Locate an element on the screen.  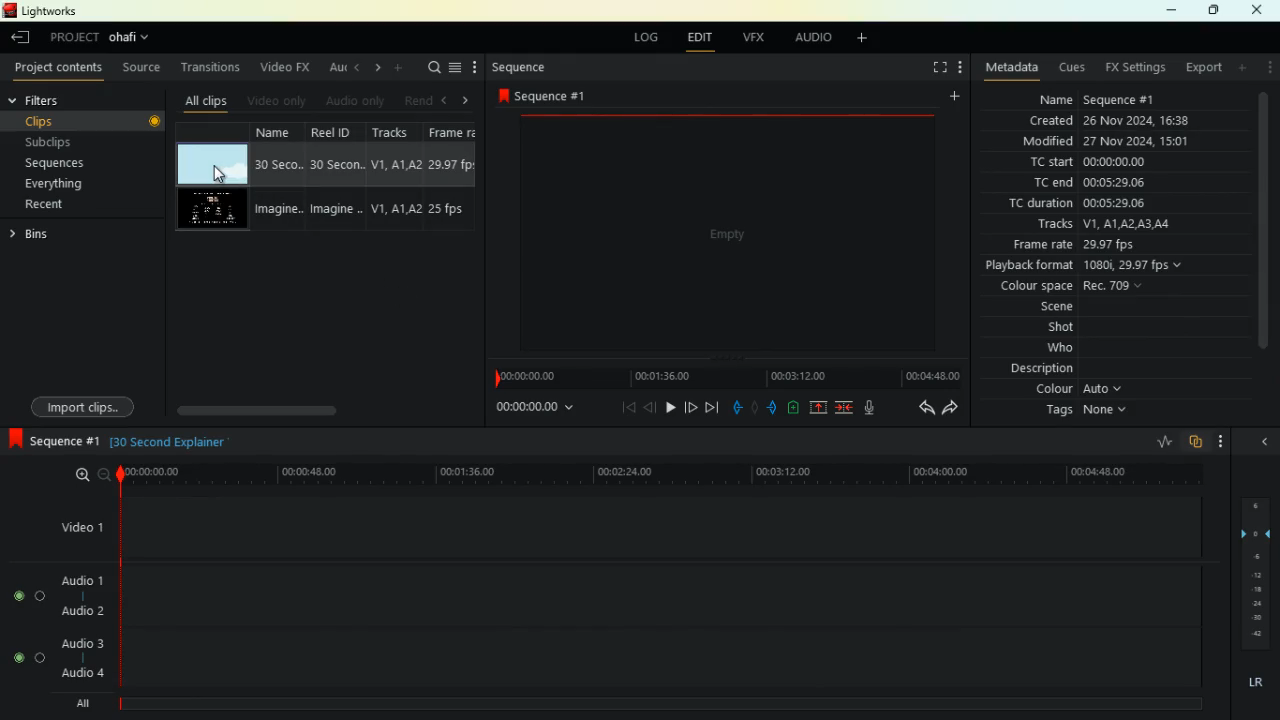
rate is located at coordinates (1162, 440).